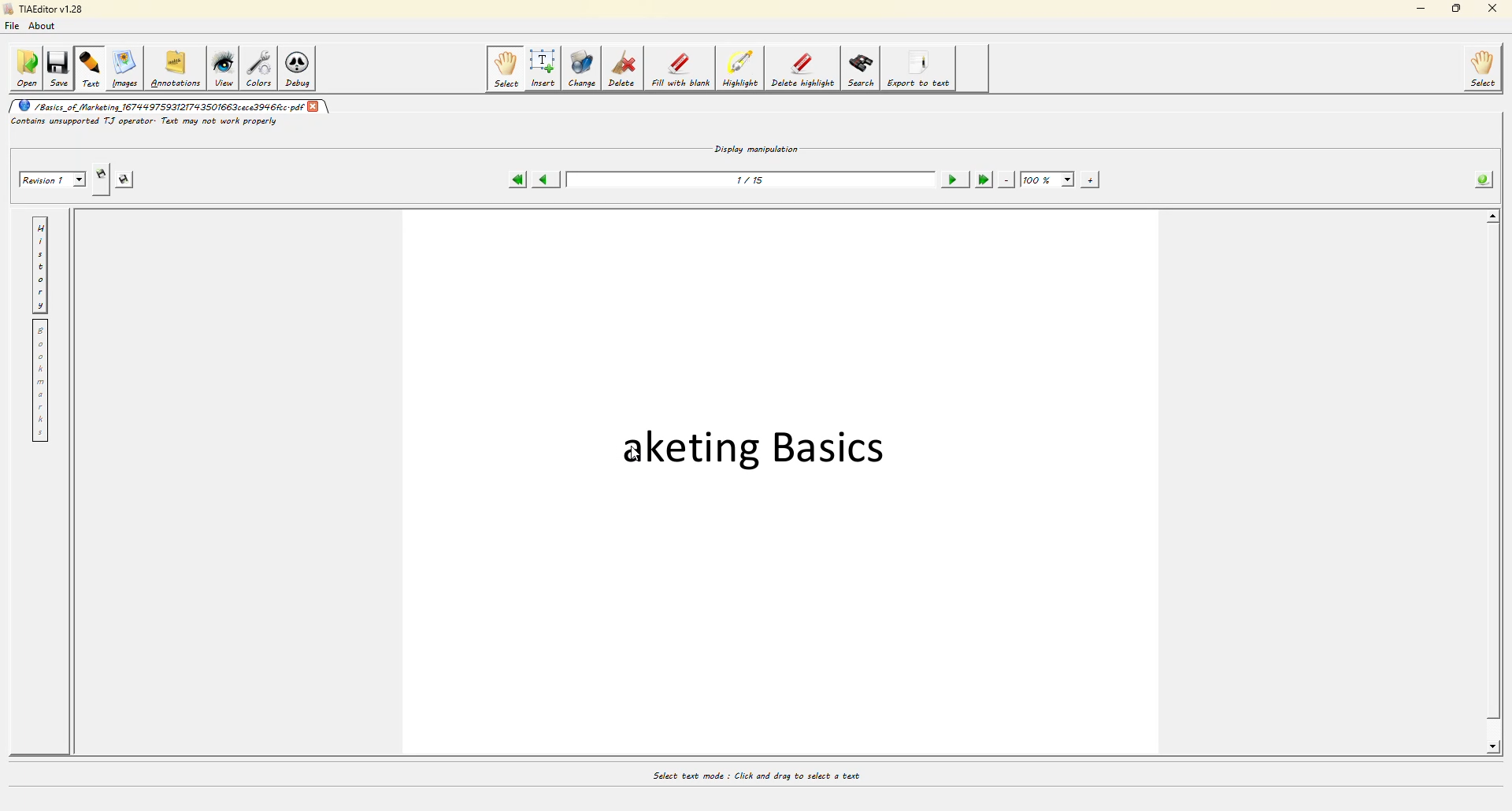 The width and height of the screenshot is (1512, 811). What do you see at coordinates (951, 179) in the screenshot?
I see `next page` at bounding box center [951, 179].